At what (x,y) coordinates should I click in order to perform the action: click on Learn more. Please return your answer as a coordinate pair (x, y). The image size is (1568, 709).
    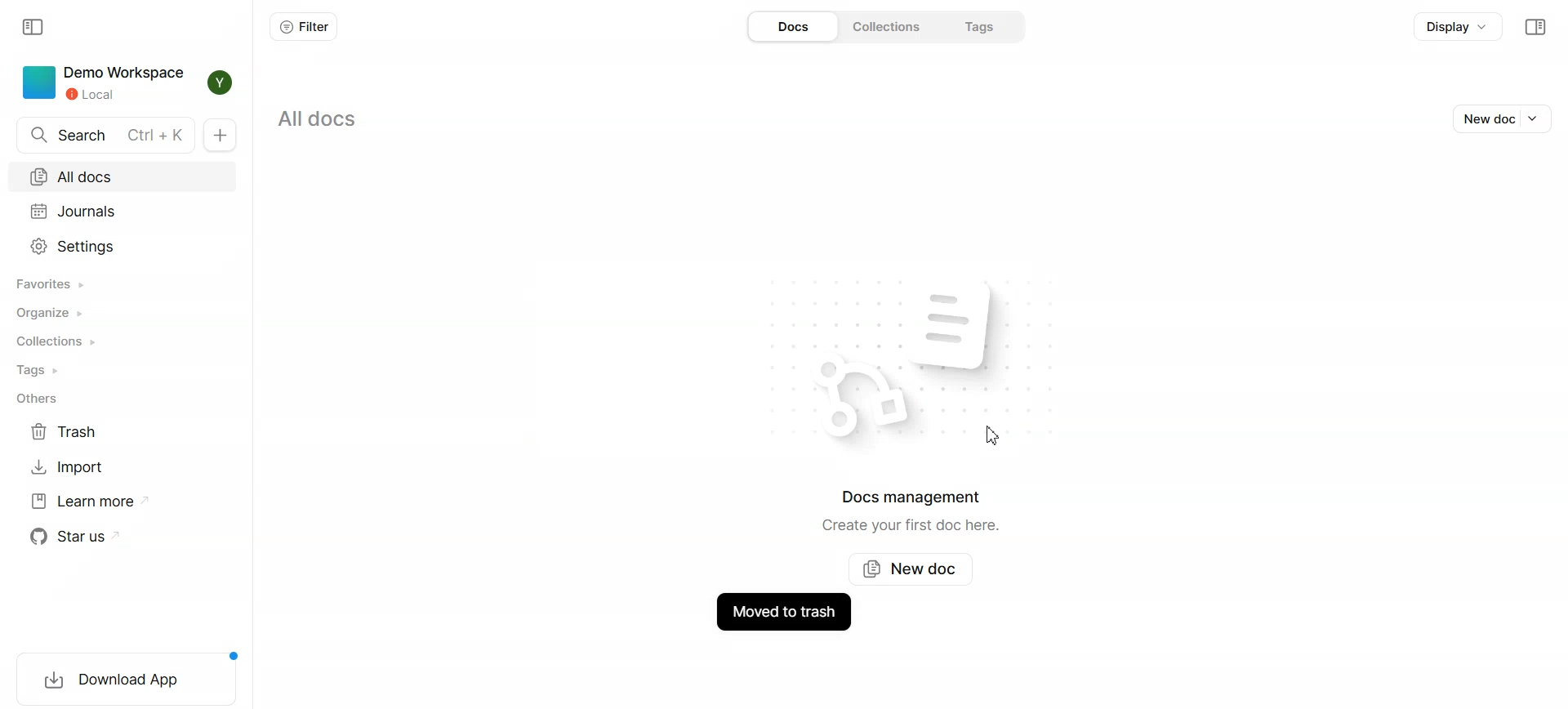
    Looking at the image, I should click on (107, 502).